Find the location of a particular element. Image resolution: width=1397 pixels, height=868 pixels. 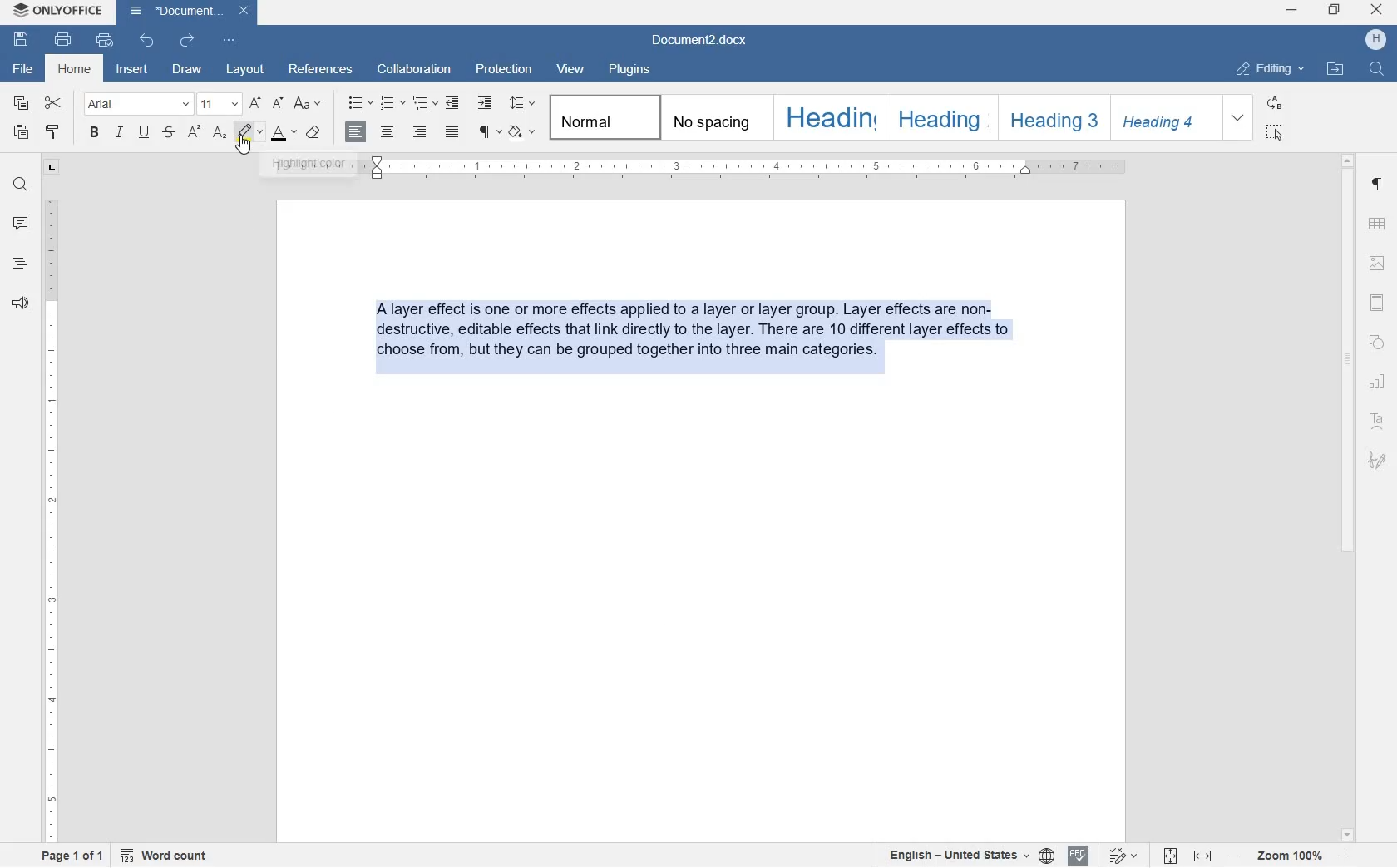

MINIMIZE is located at coordinates (1293, 11).